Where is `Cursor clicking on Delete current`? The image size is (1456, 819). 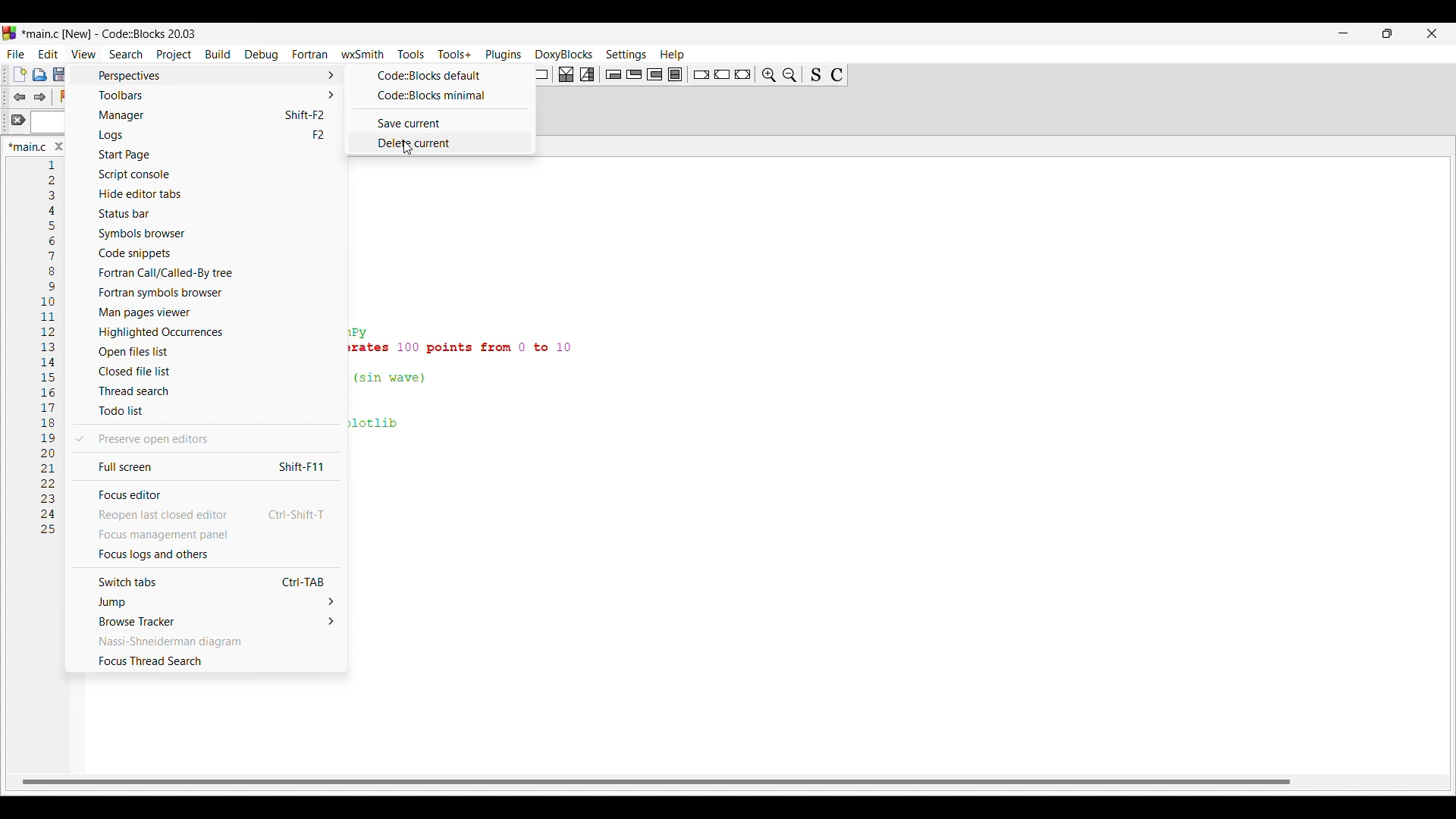 Cursor clicking on Delete current is located at coordinates (407, 148).